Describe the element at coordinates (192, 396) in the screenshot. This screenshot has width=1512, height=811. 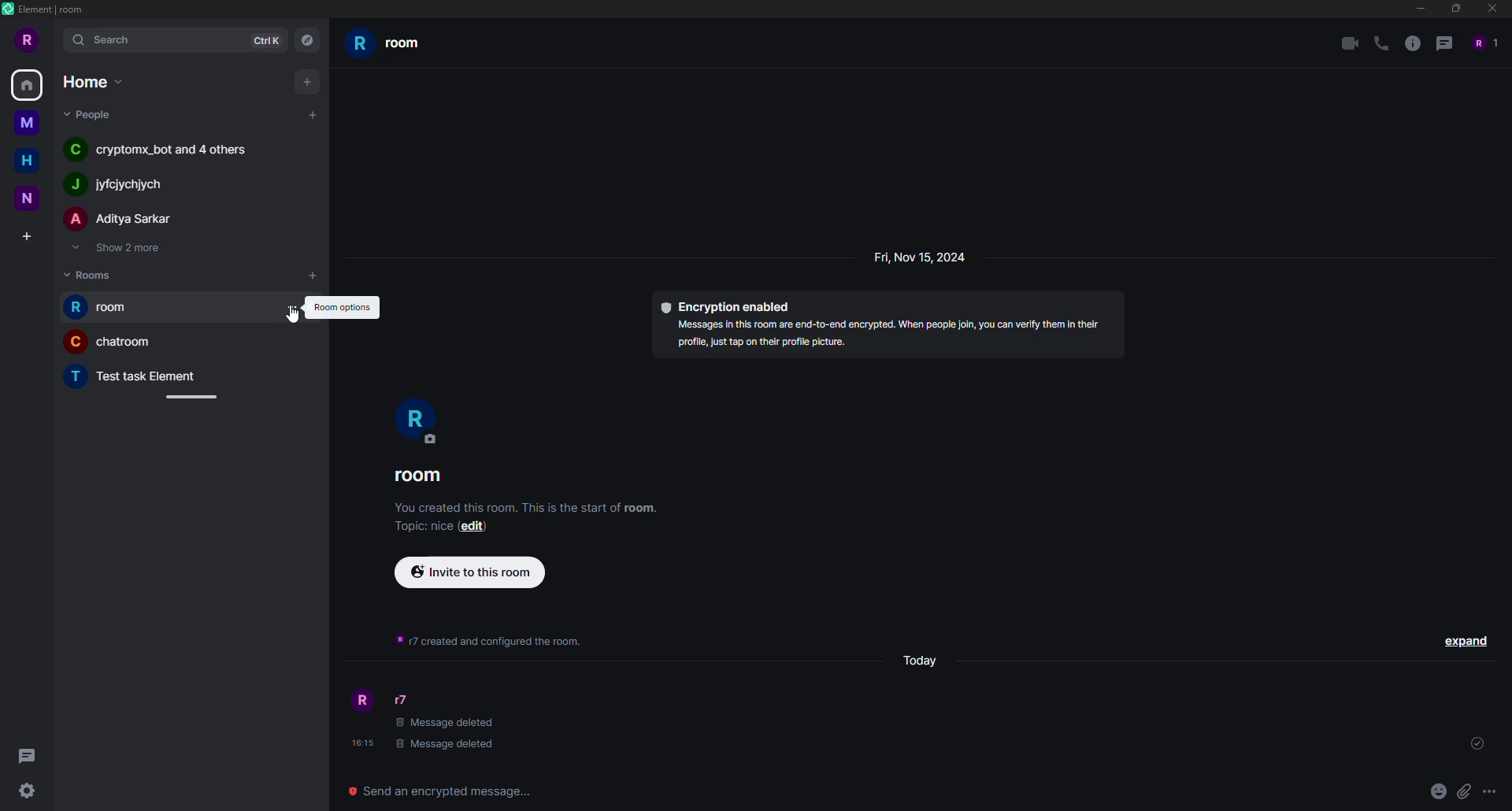
I see `adjust` at that location.